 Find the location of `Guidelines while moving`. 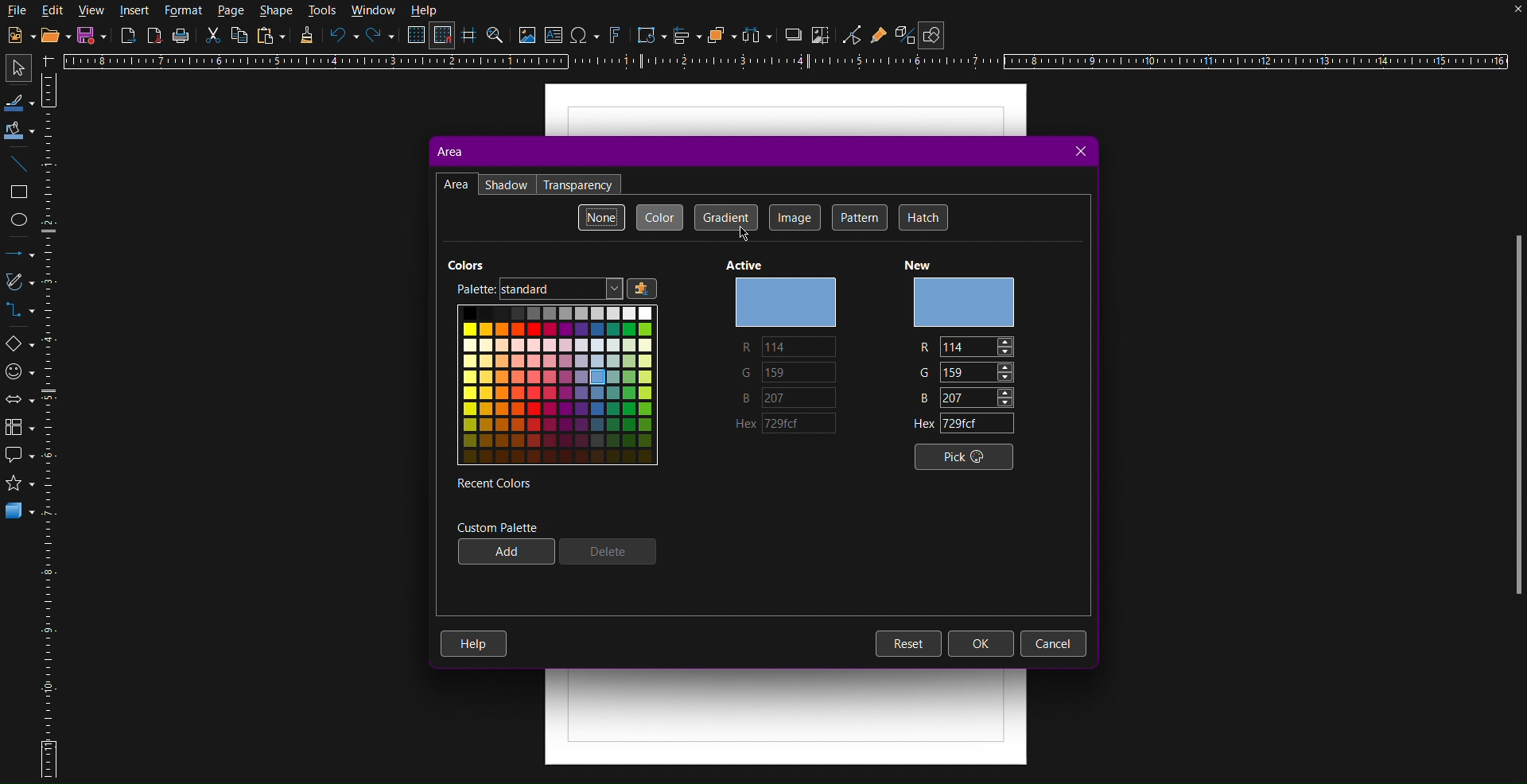

Guidelines while moving is located at coordinates (470, 37).